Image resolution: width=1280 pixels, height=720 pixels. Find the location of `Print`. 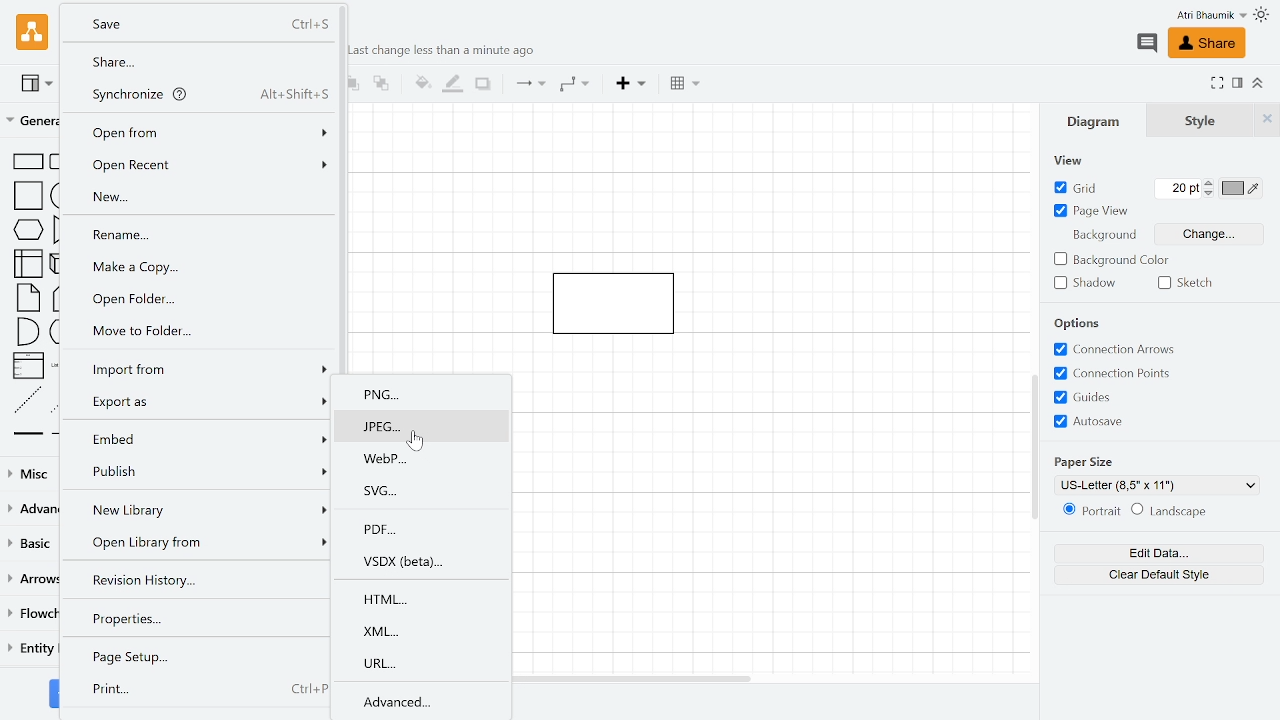

Print is located at coordinates (200, 691).